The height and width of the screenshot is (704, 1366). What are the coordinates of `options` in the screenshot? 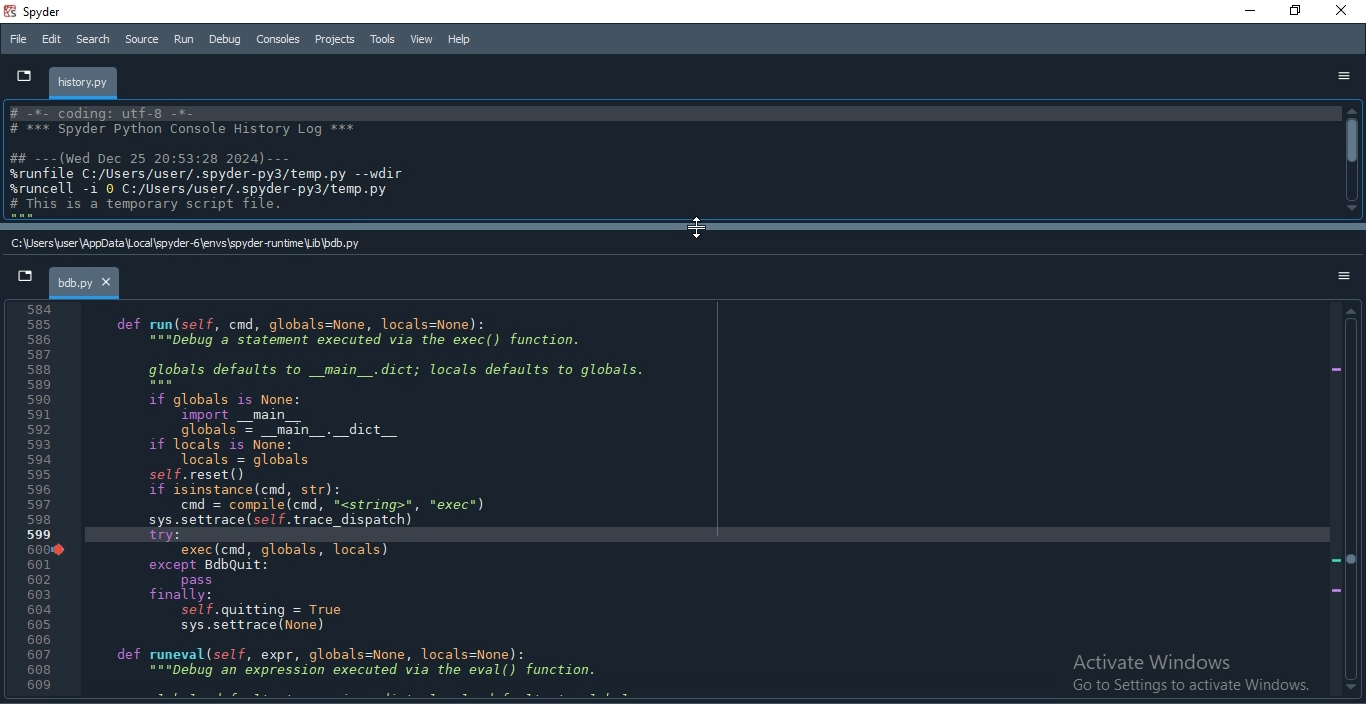 It's located at (1343, 76).